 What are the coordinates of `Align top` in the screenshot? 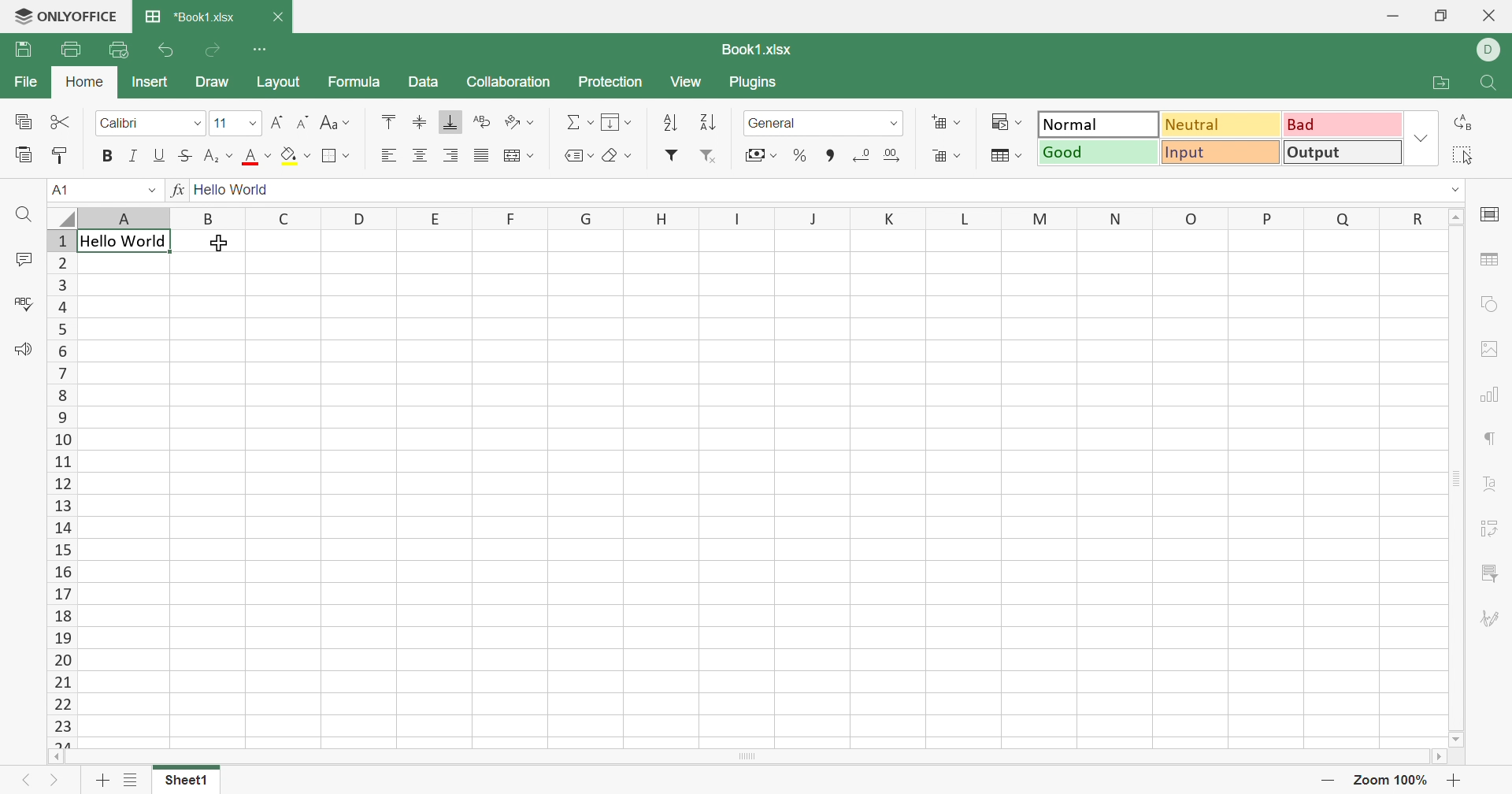 It's located at (391, 121).